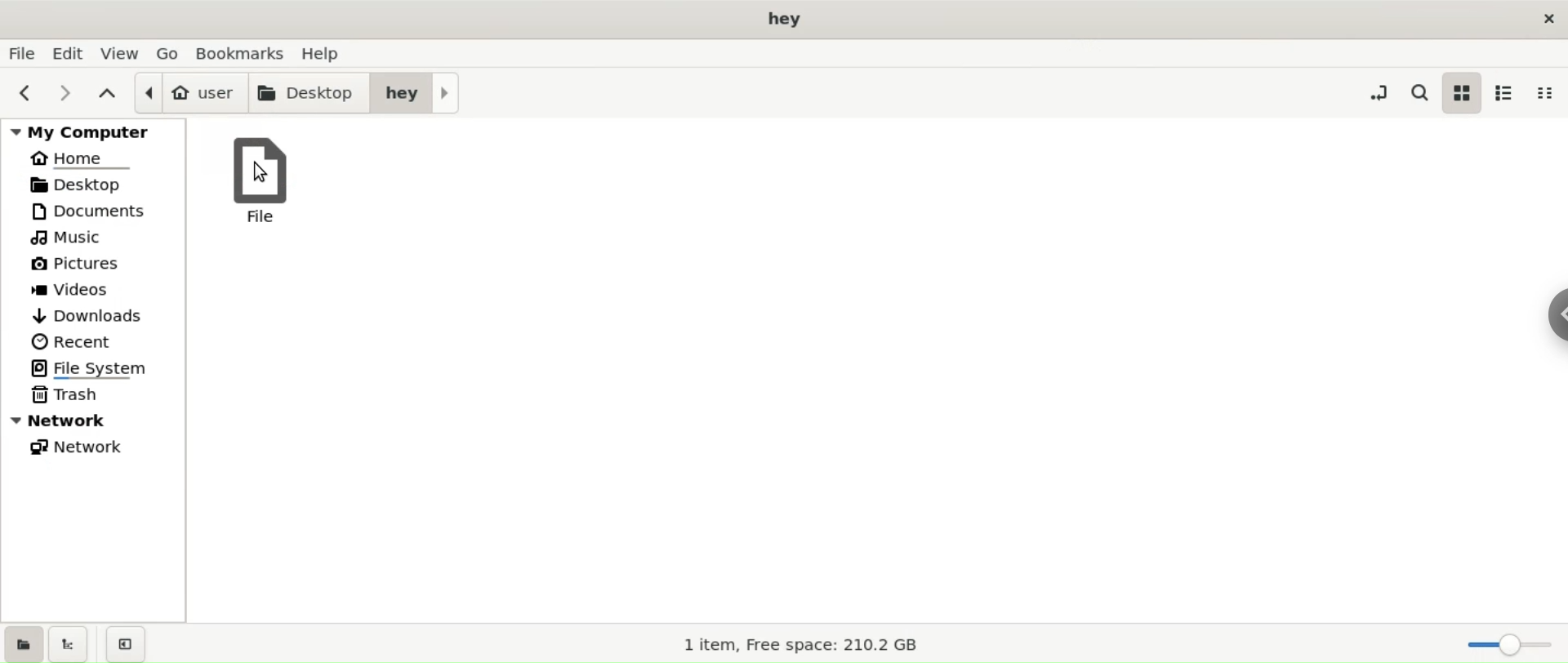 Image resolution: width=1568 pixels, height=663 pixels. I want to click on file system, so click(99, 368).